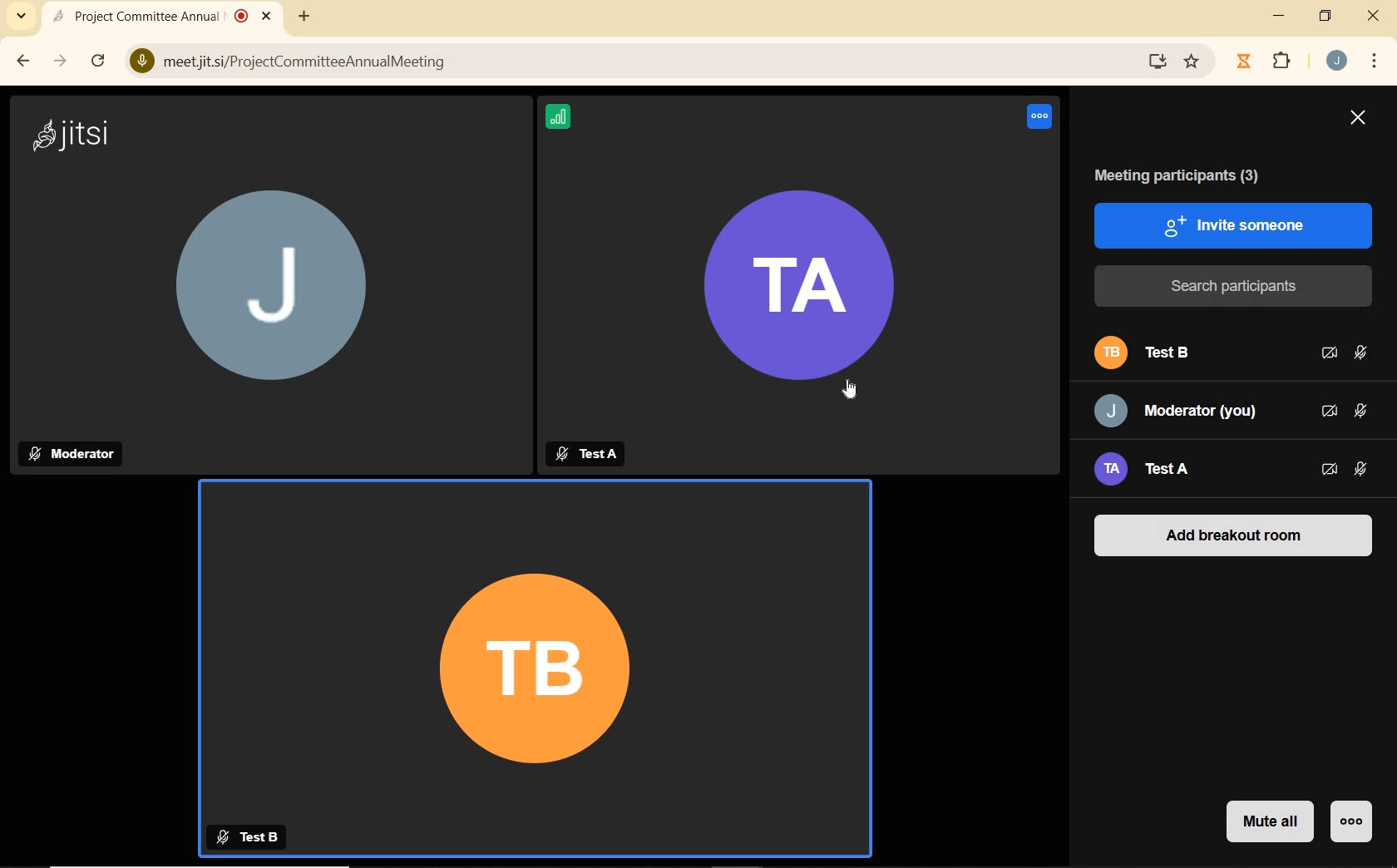 The image size is (1397, 868). Describe the element at coordinates (1242, 63) in the screenshot. I see `Jibble` at that location.